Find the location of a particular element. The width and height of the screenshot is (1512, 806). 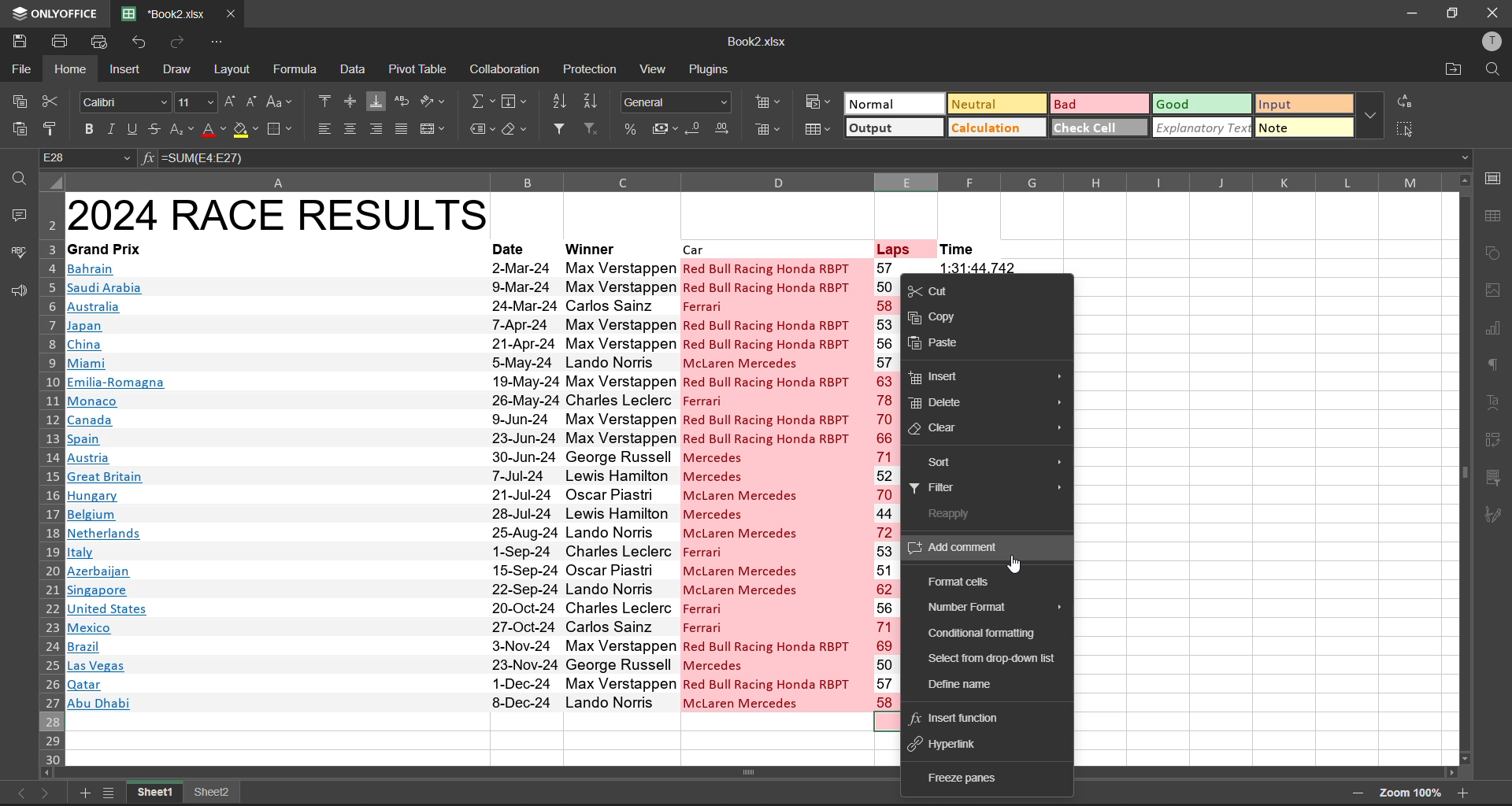

align right is located at coordinates (379, 130).